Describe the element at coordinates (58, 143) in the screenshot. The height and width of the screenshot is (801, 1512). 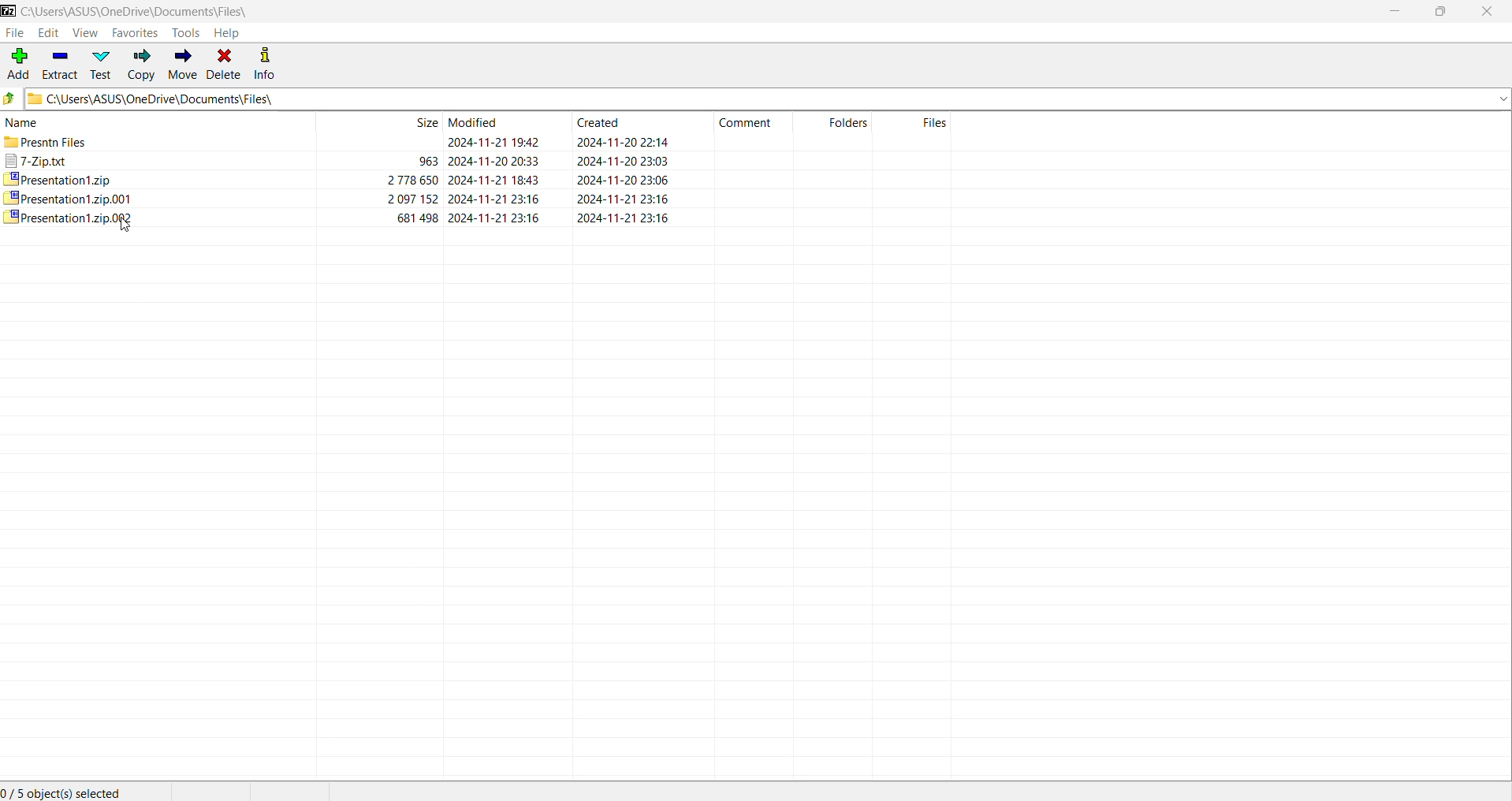
I see `presntn files` at that location.